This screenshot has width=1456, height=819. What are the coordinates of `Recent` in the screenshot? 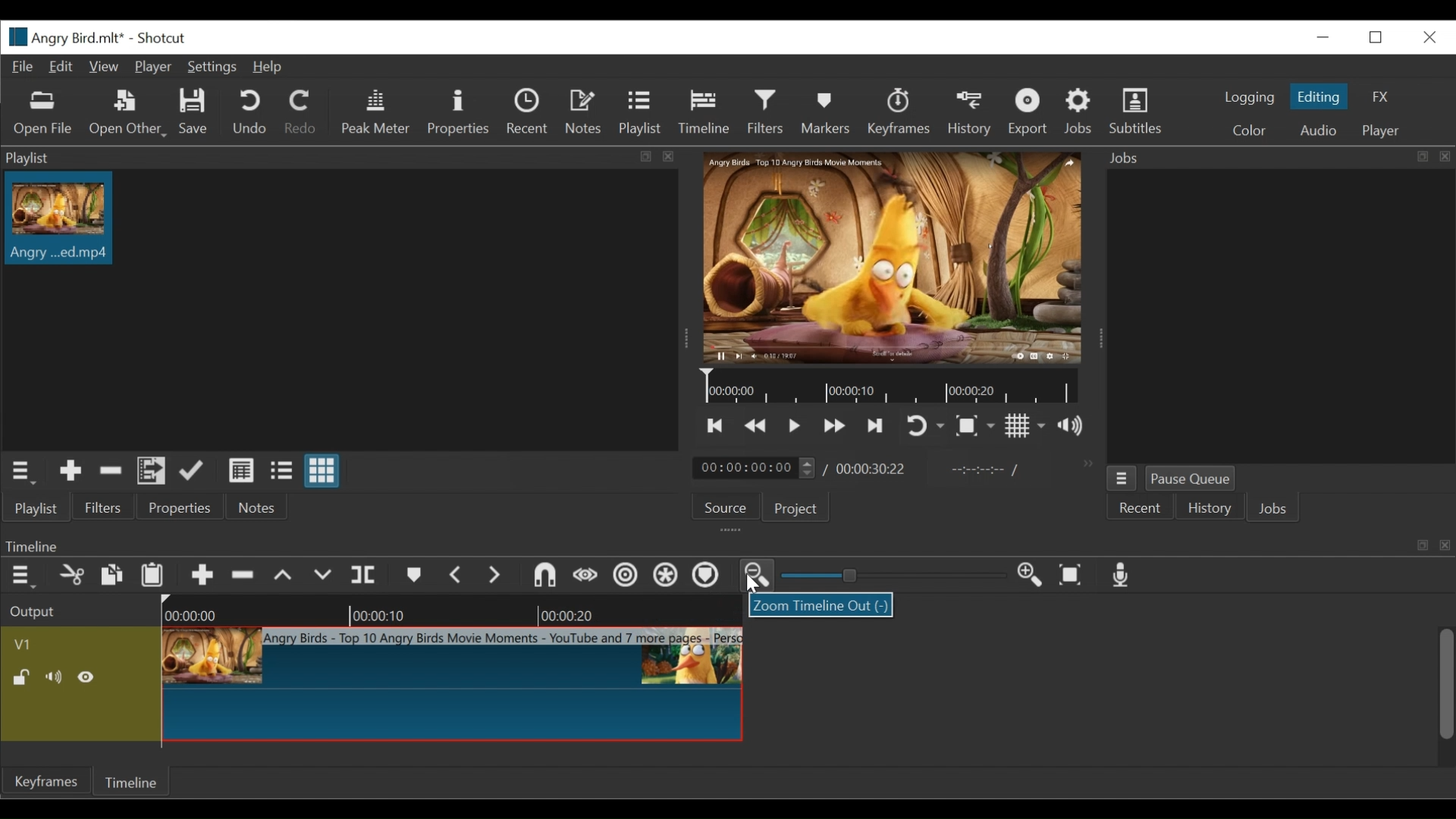 It's located at (1139, 508).